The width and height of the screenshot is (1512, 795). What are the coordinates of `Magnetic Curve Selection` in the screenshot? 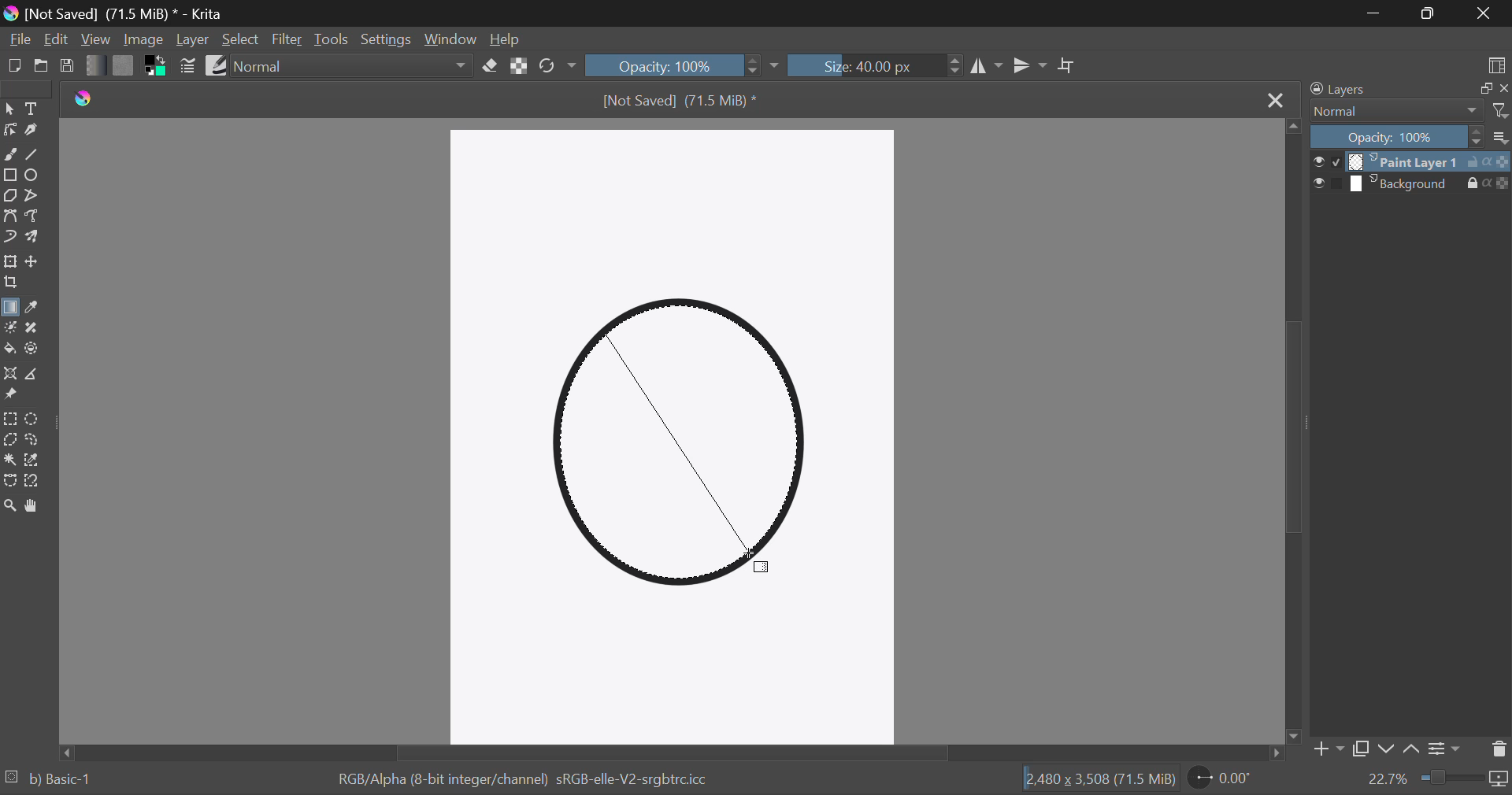 It's located at (37, 483).